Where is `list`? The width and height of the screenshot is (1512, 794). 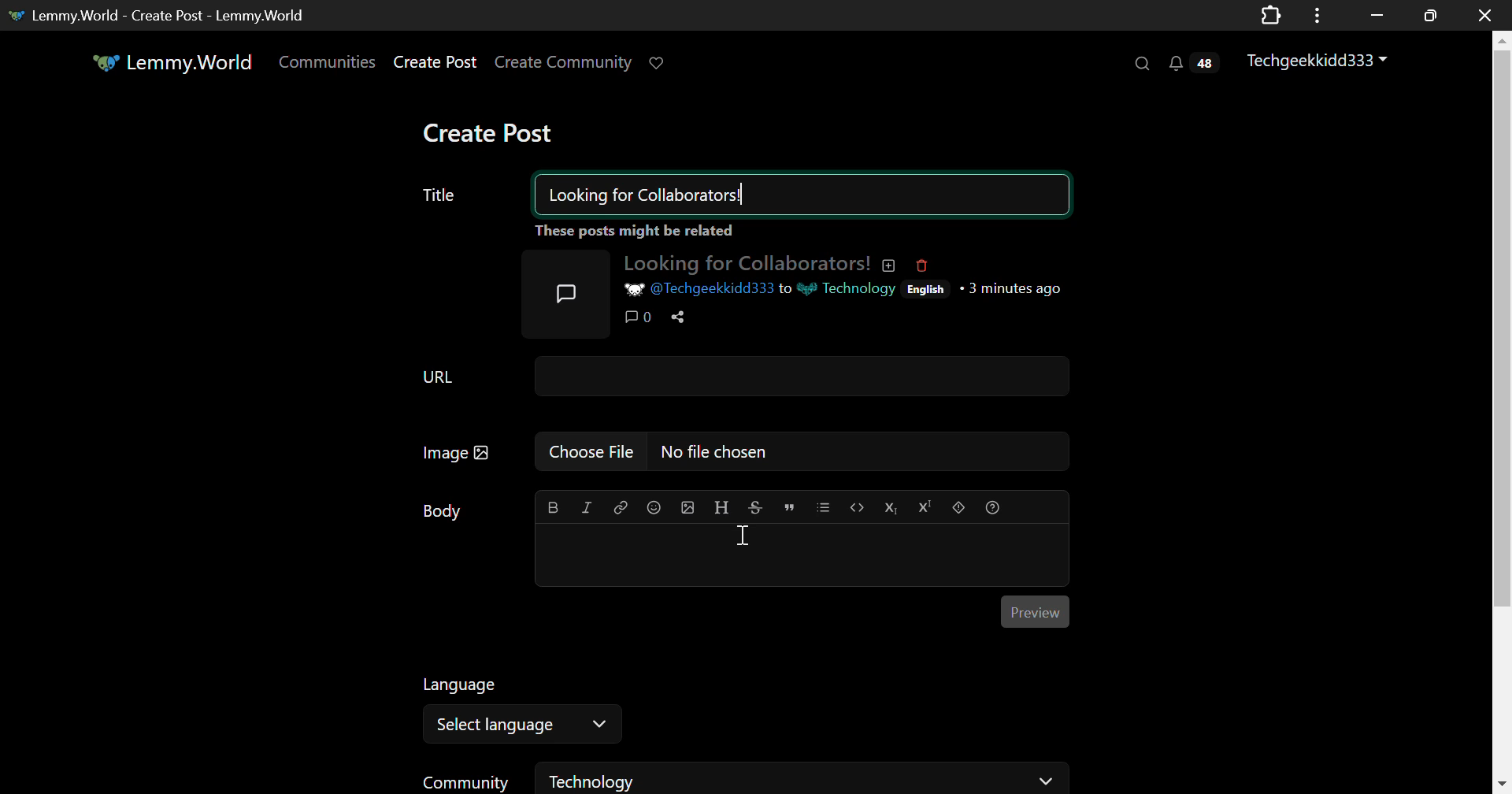
list is located at coordinates (823, 508).